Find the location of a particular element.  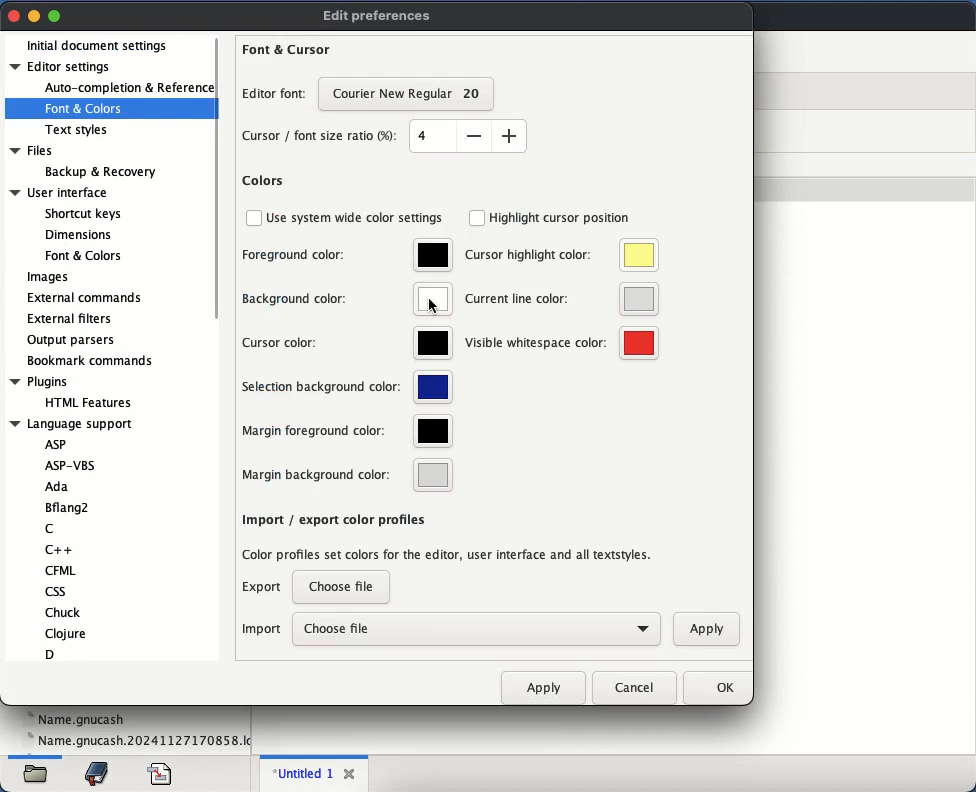

cancel is located at coordinates (637, 686).